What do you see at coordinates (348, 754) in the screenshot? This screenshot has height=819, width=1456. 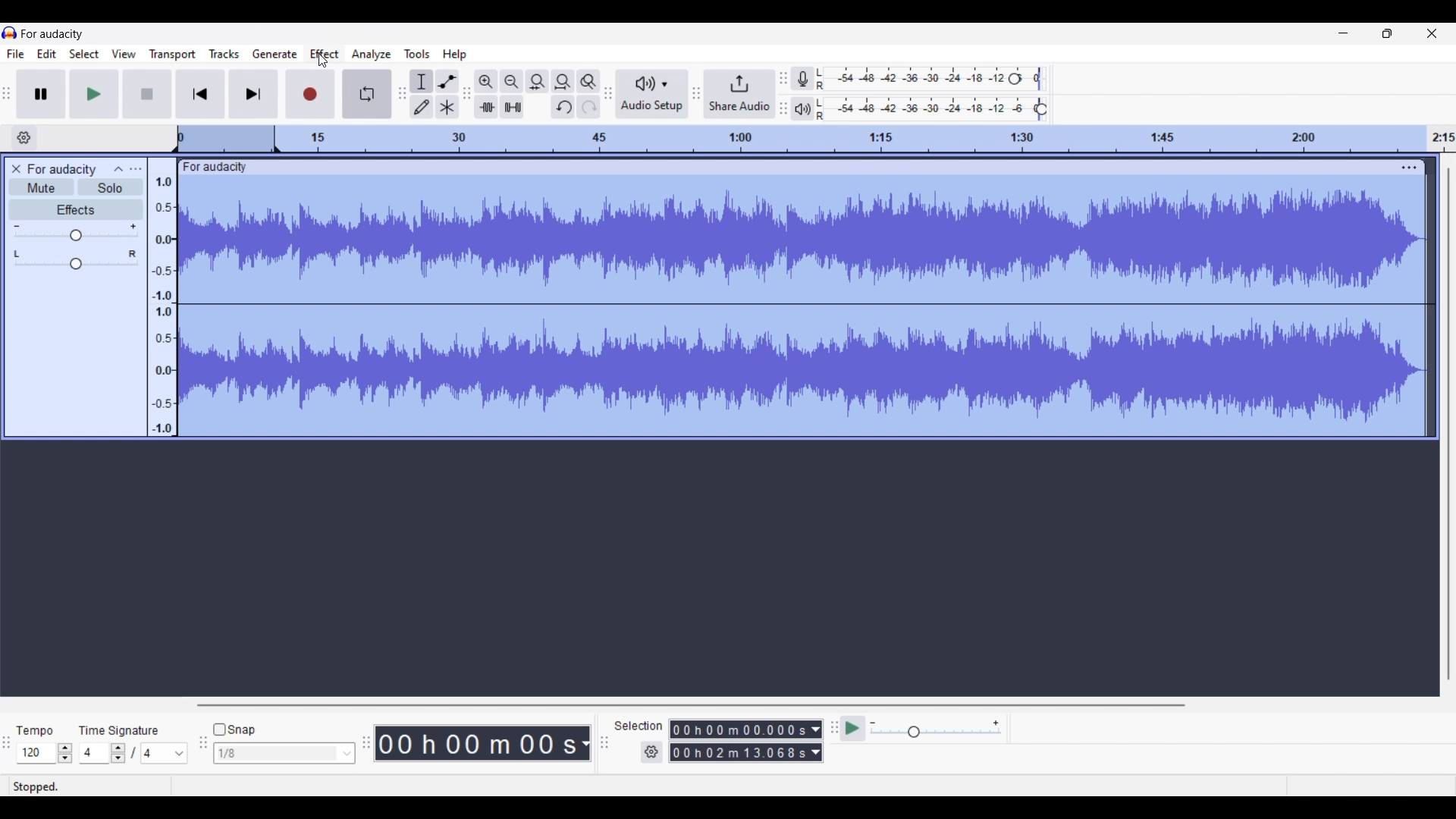 I see `Snap option` at bounding box center [348, 754].